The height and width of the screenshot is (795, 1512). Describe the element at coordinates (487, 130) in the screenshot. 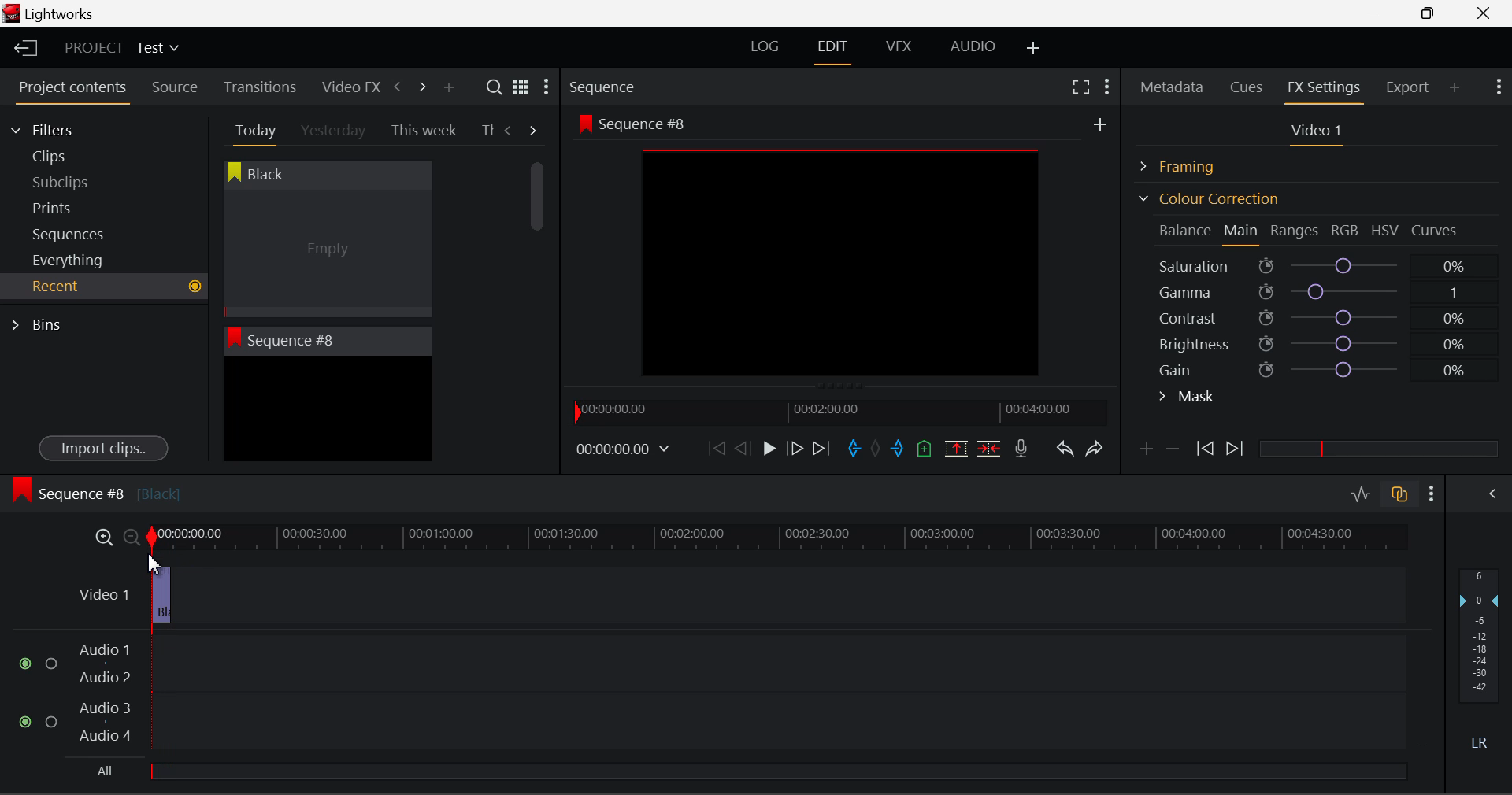

I see `Th` at that location.